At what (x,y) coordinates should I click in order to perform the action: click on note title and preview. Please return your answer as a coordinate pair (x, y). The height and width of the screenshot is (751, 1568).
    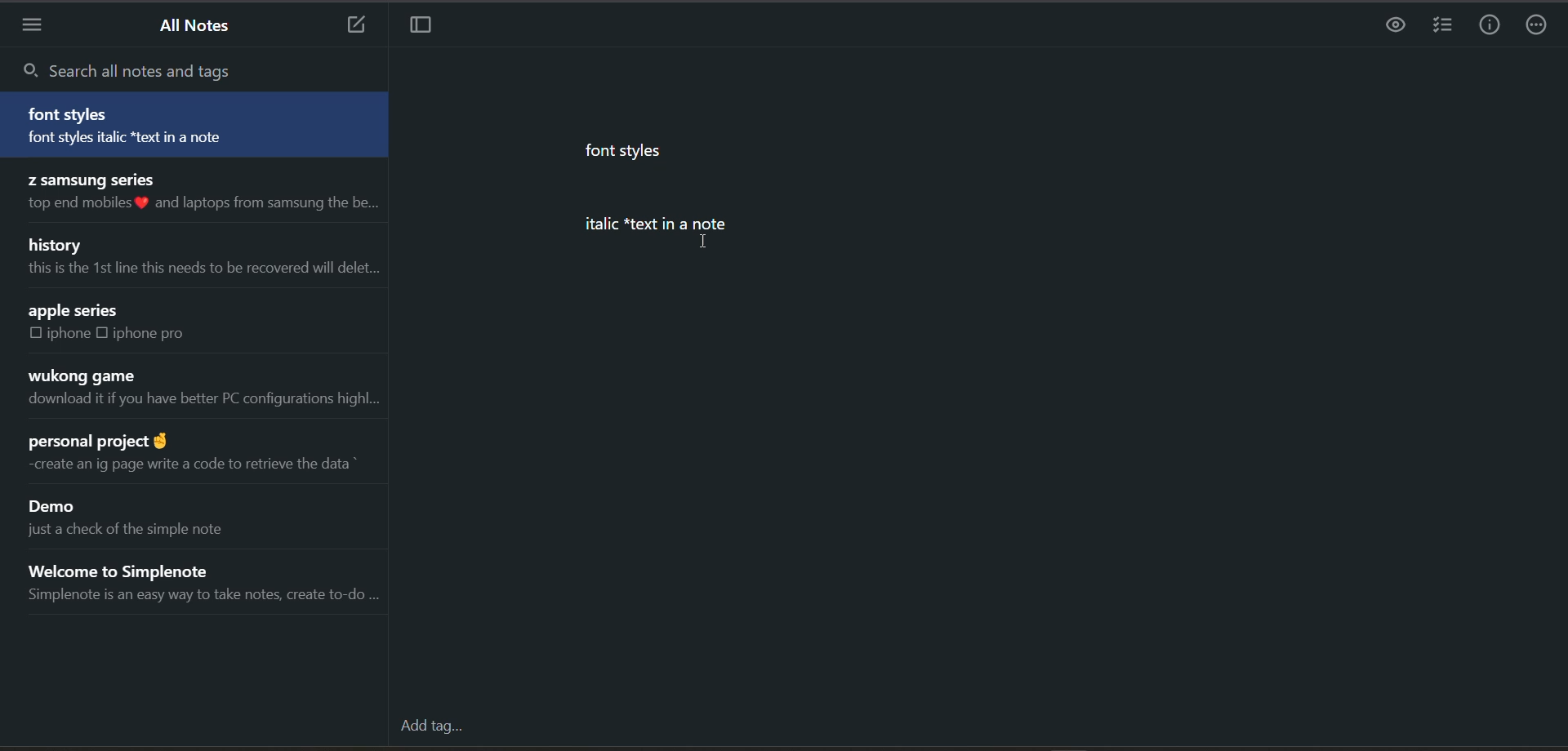
    Looking at the image, I should click on (145, 516).